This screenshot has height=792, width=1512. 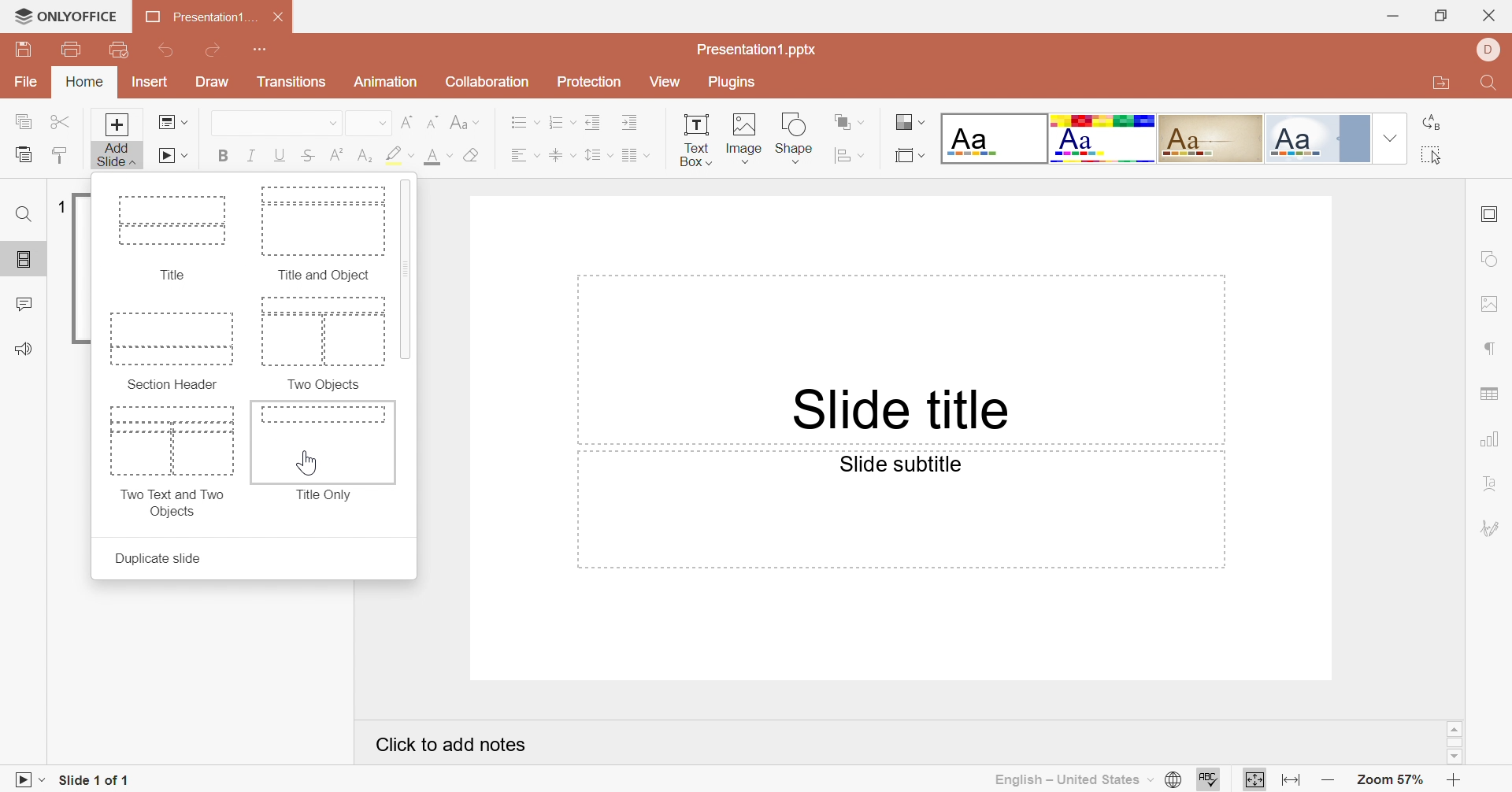 What do you see at coordinates (119, 49) in the screenshot?
I see `Quick Print` at bounding box center [119, 49].